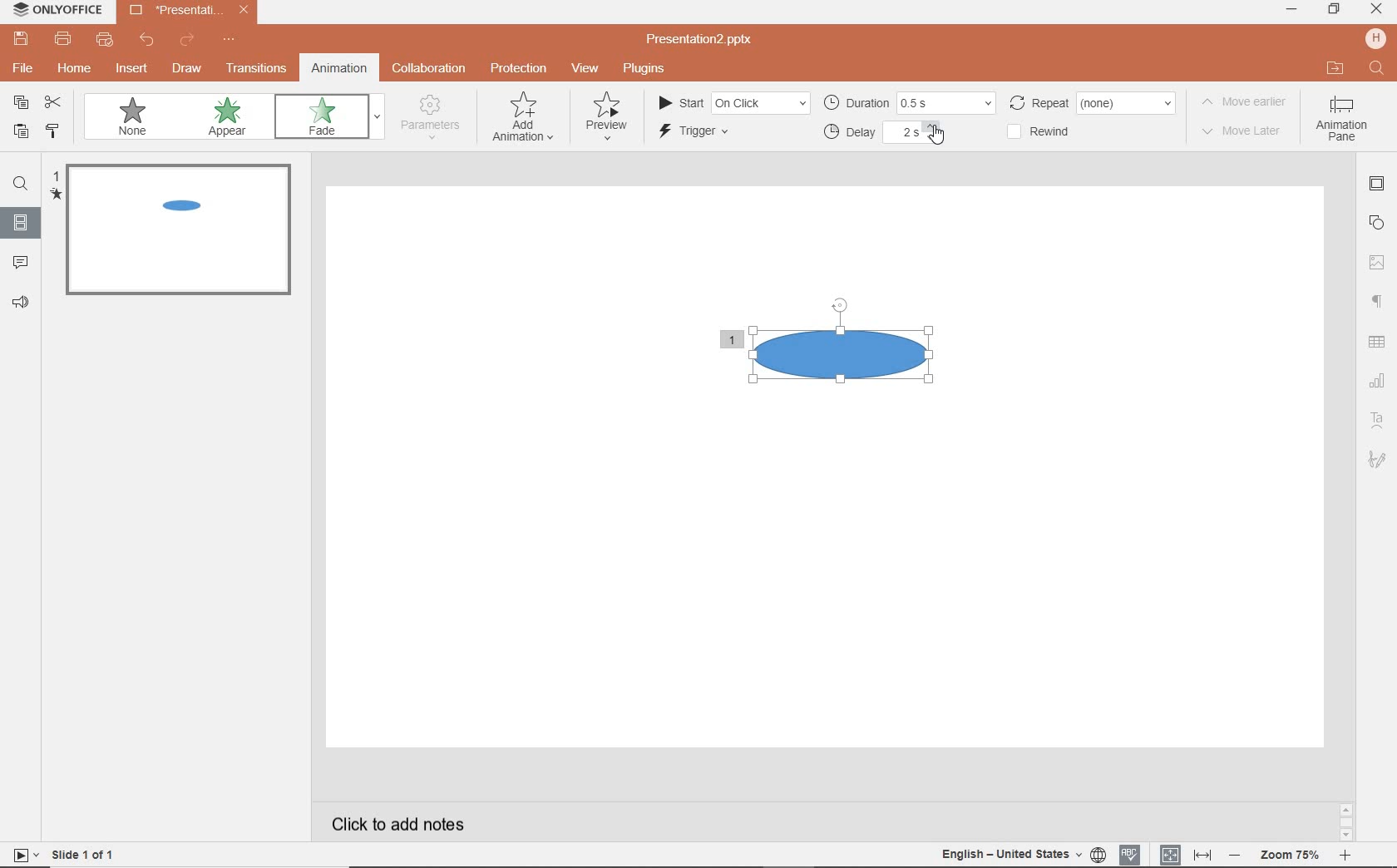 The image size is (1397, 868). What do you see at coordinates (519, 68) in the screenshot?
I see `protection` at bounding box center [519, 68].